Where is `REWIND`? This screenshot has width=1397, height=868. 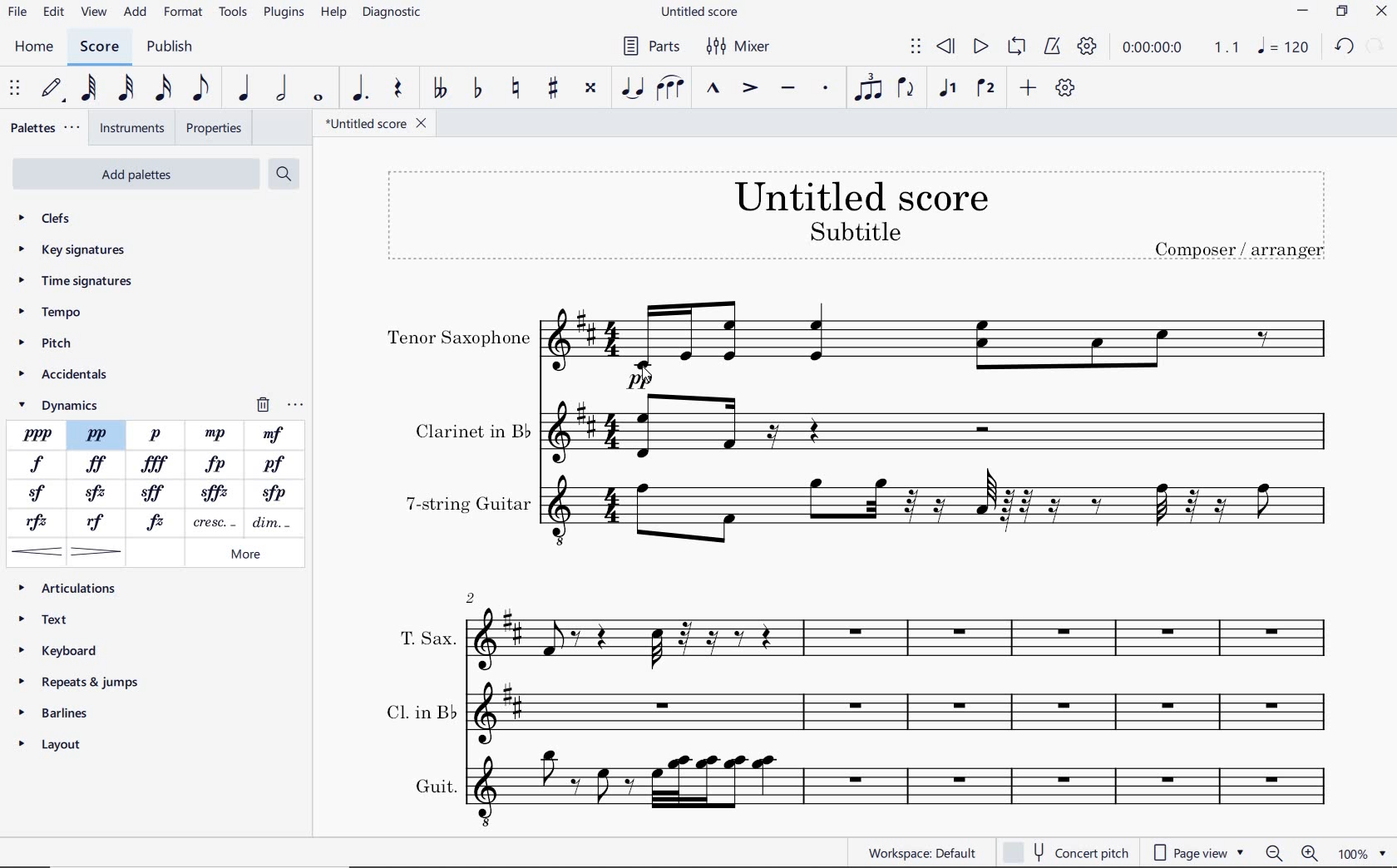
REWIND is located at coordinates (946, 47).